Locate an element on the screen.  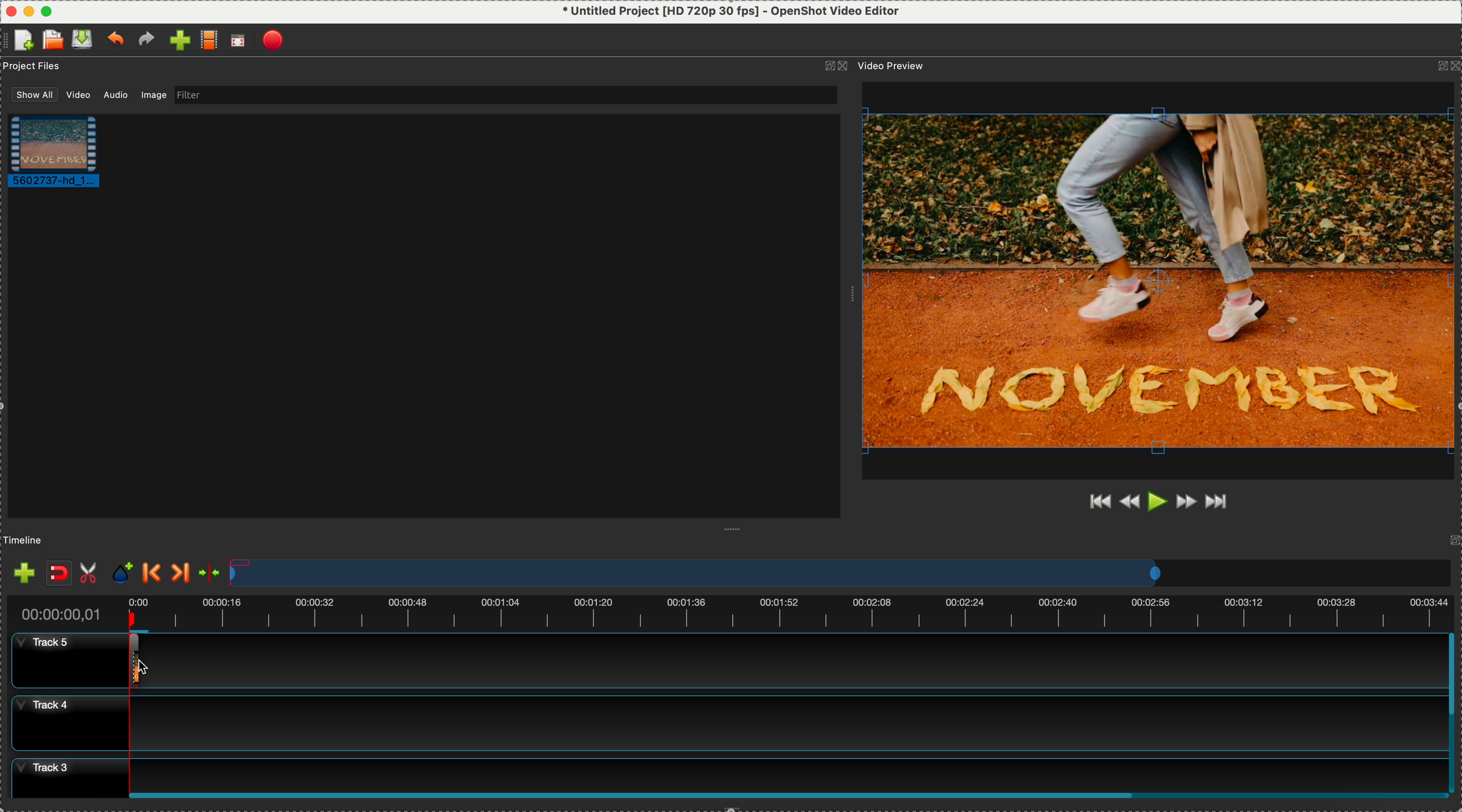
Cursor is located at coordinates (129, 662).